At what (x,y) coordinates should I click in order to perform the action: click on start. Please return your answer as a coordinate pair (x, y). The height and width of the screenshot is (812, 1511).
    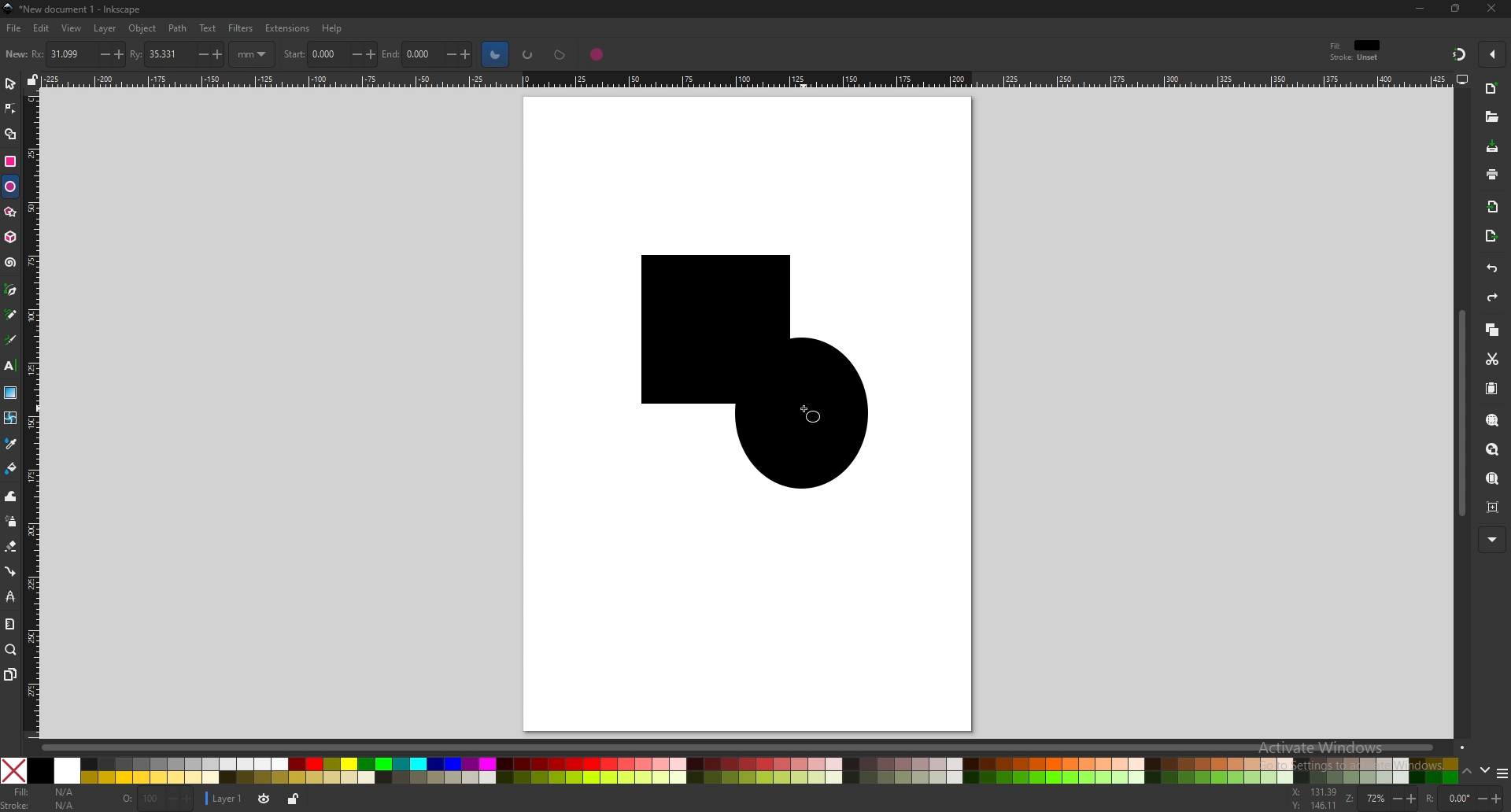
    Looking at the image, I should click on (331, 53).